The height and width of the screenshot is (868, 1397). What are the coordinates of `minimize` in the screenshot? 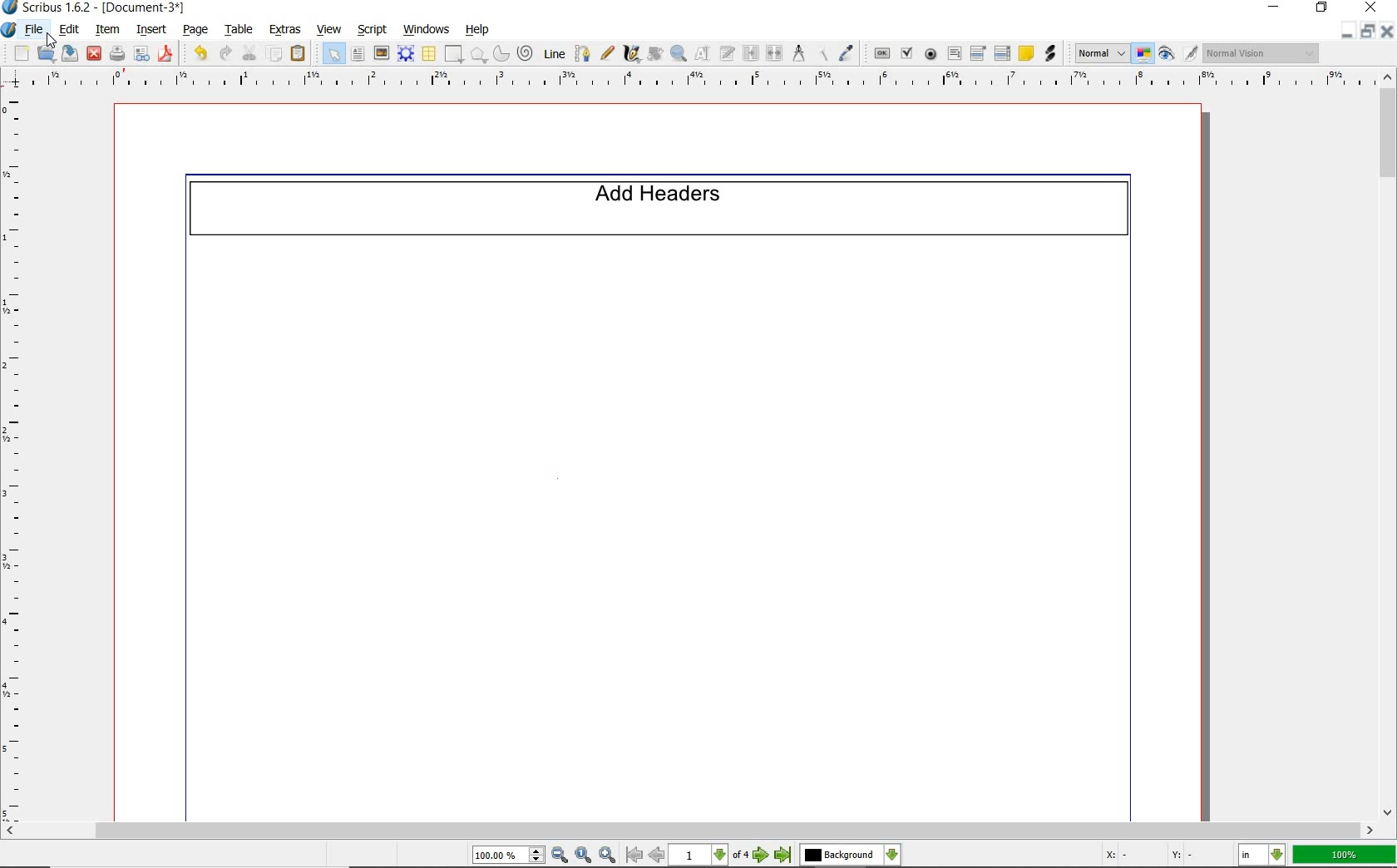 It's located at (1276, 7).